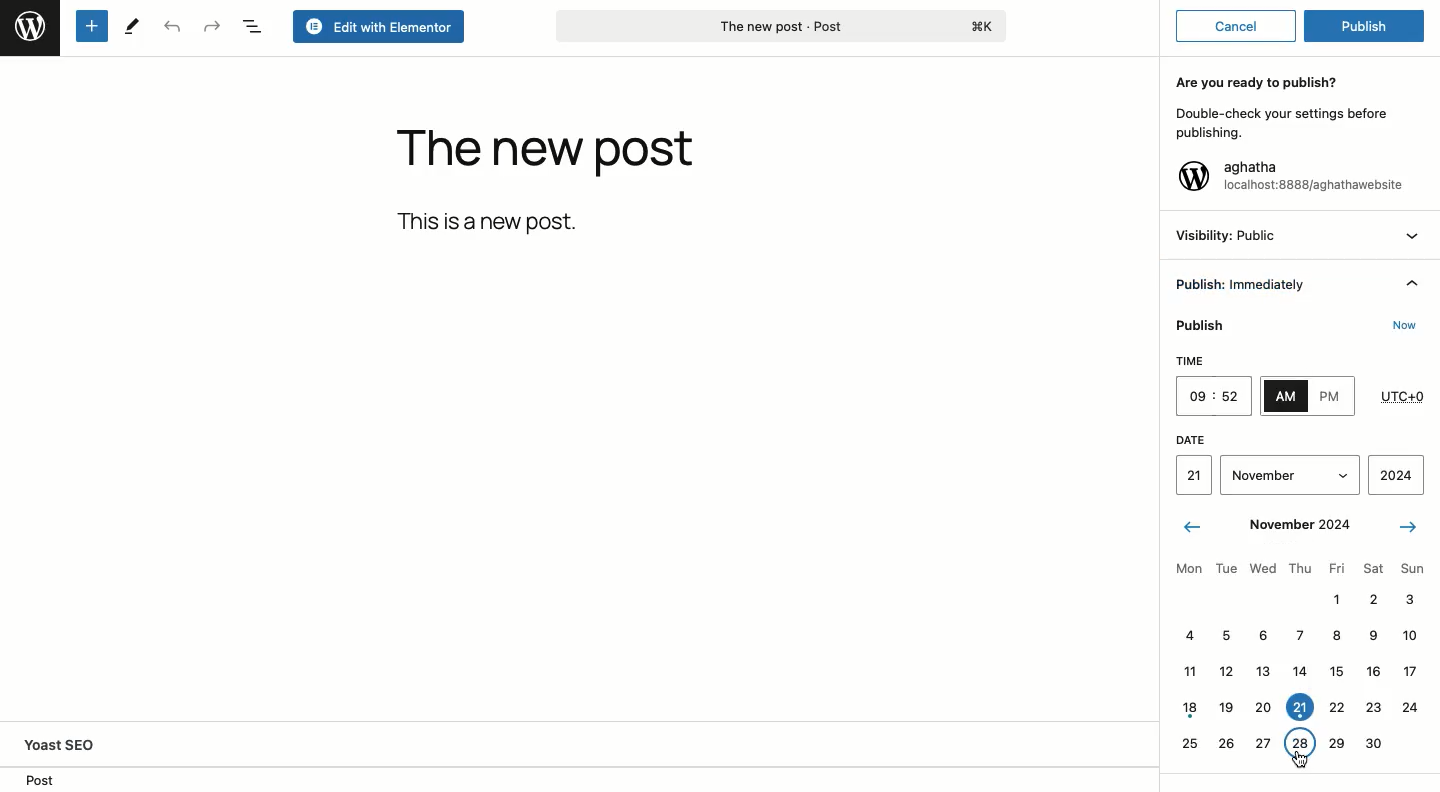 Image resolution: width=1440 pixels, height=792 pixels. I want to click on 30, so click(1373, 743).